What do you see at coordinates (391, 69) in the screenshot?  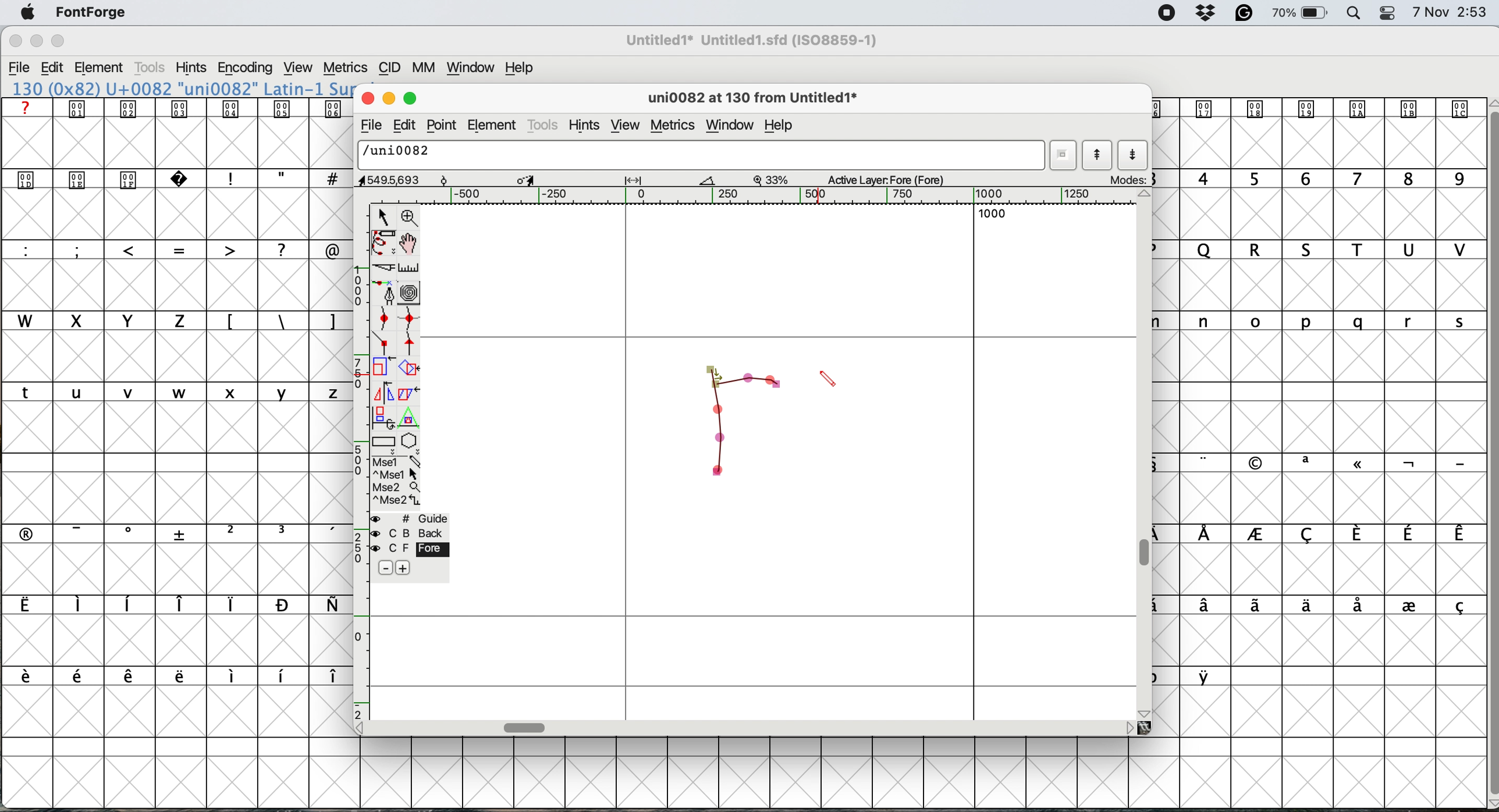 I see `cid` at bounding box center [391, 69].